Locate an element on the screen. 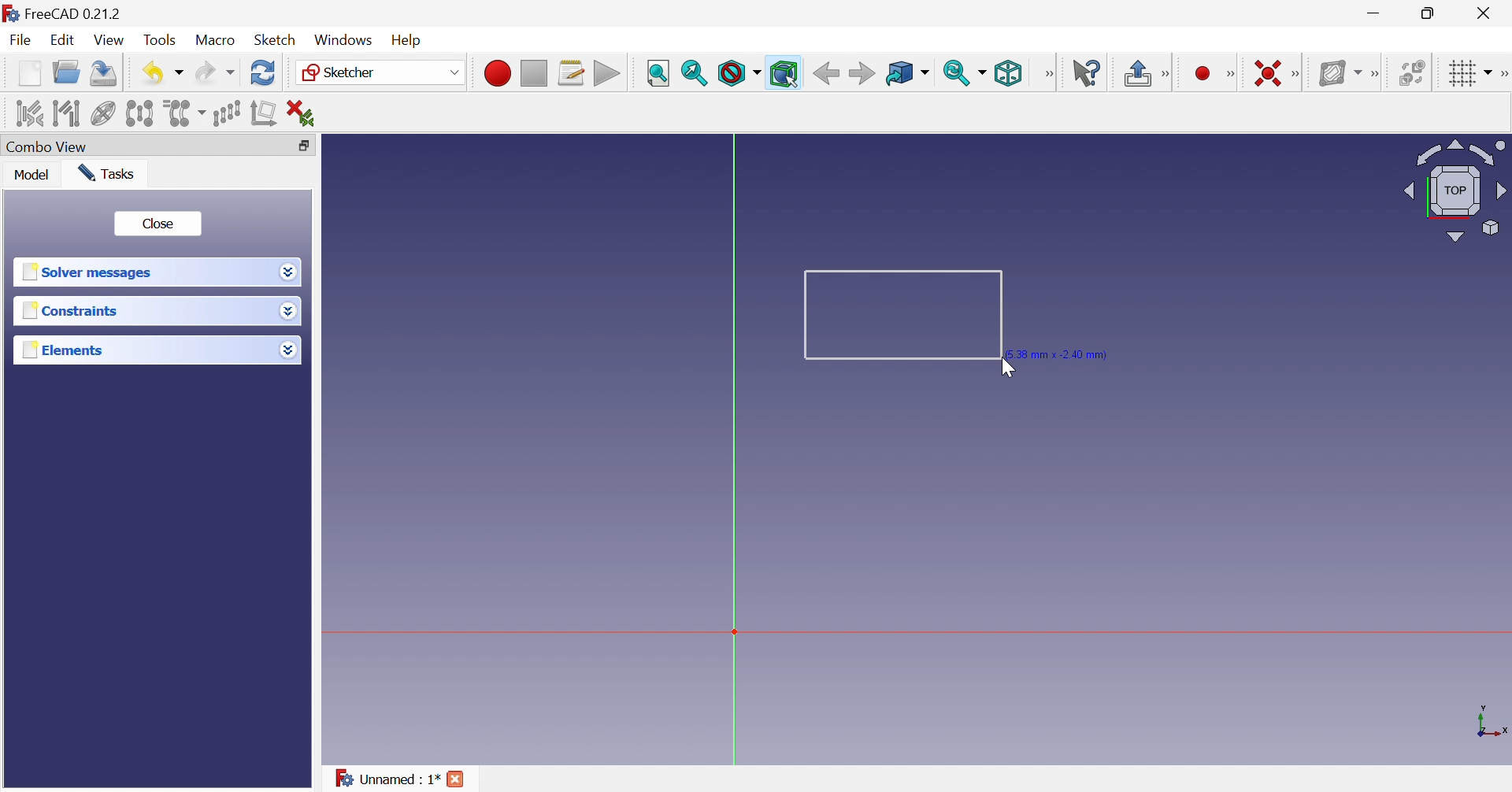  x, y axis is located at coordinates (1489, 720).